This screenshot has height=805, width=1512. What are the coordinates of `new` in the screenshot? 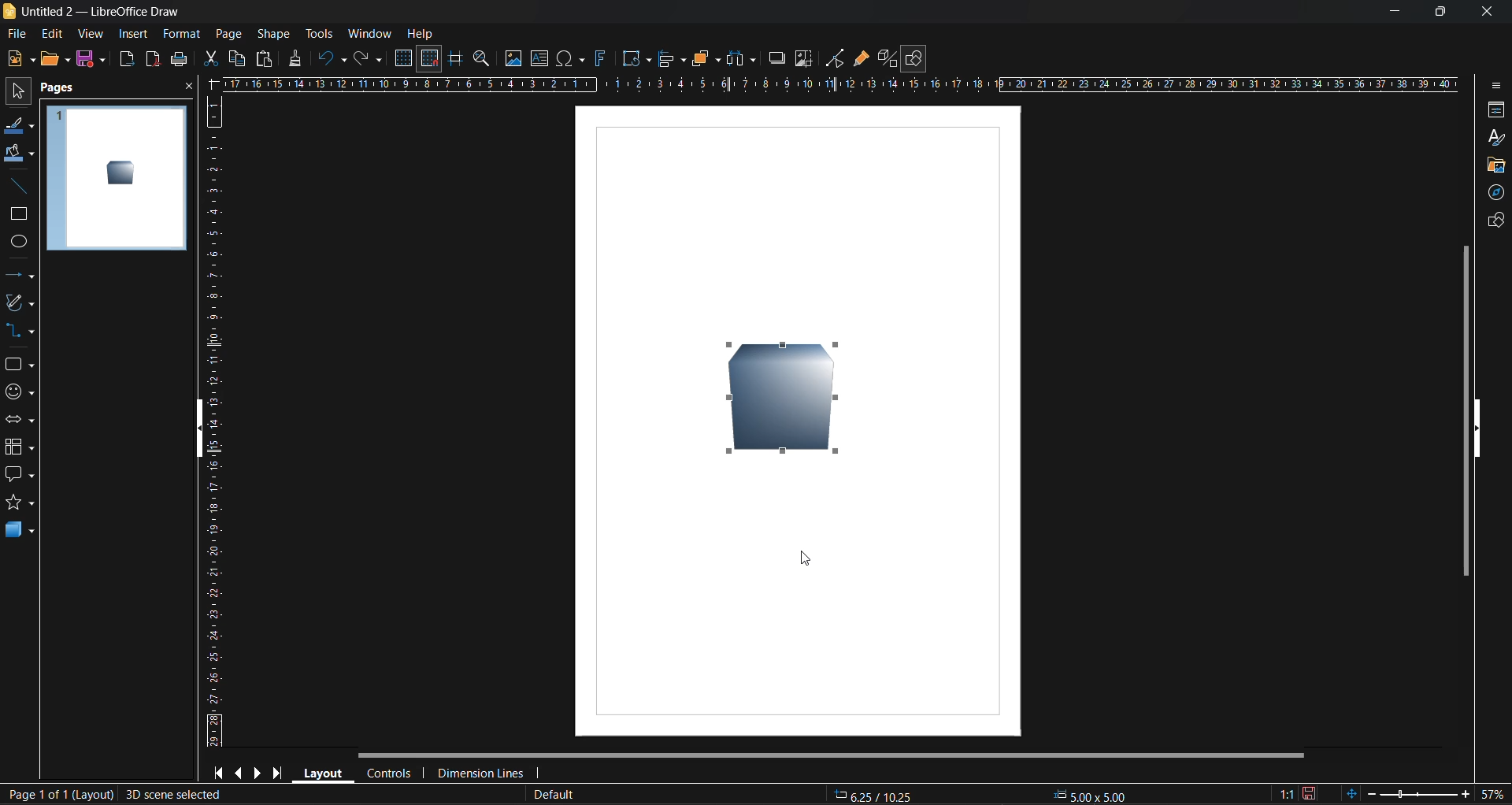 It's located at (21, 60).